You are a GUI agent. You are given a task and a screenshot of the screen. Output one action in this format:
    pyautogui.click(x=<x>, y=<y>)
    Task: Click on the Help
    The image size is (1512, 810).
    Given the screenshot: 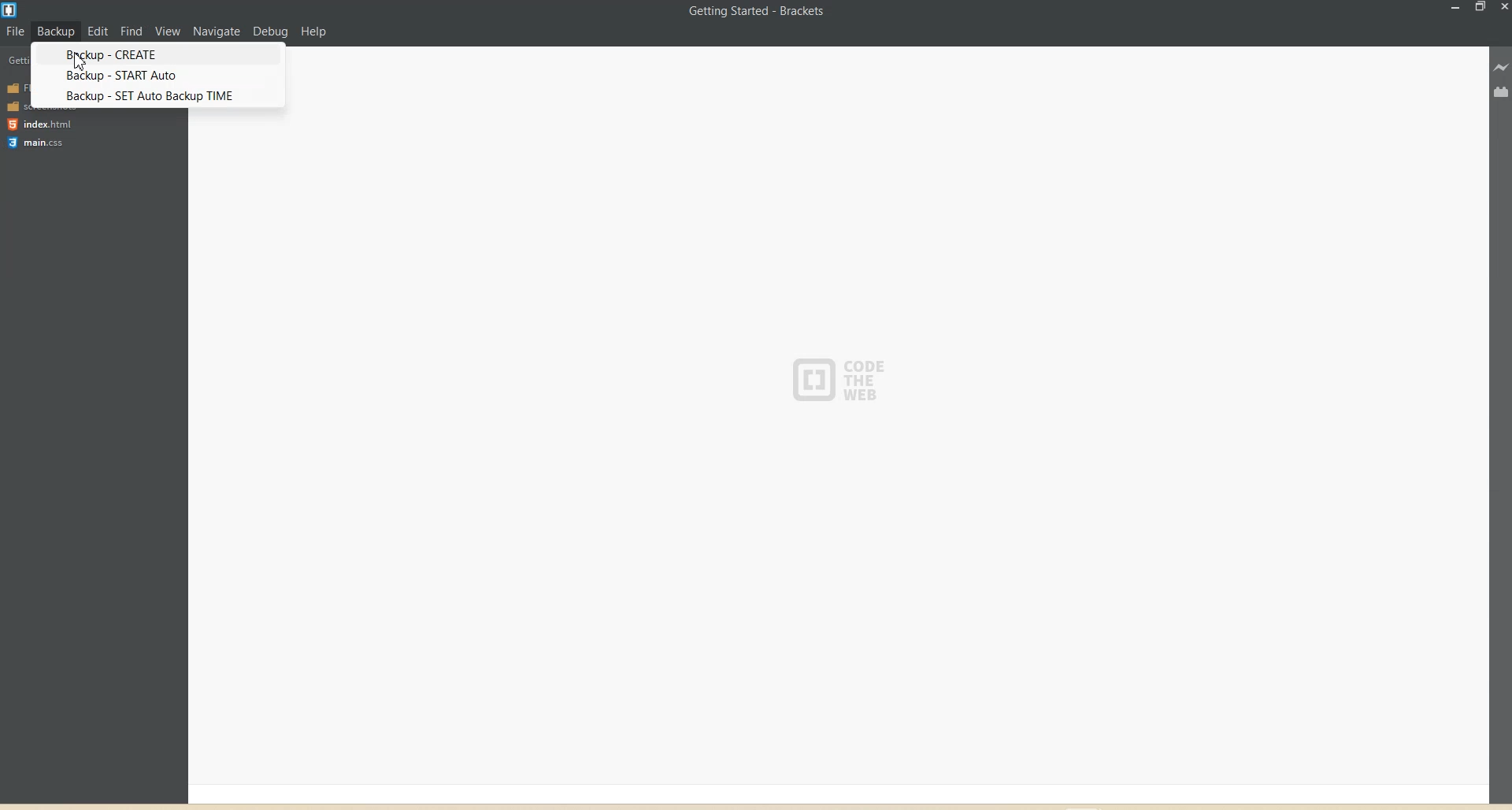 What is the action you would take?
    pyautogui.click(x=319, y=30)
    